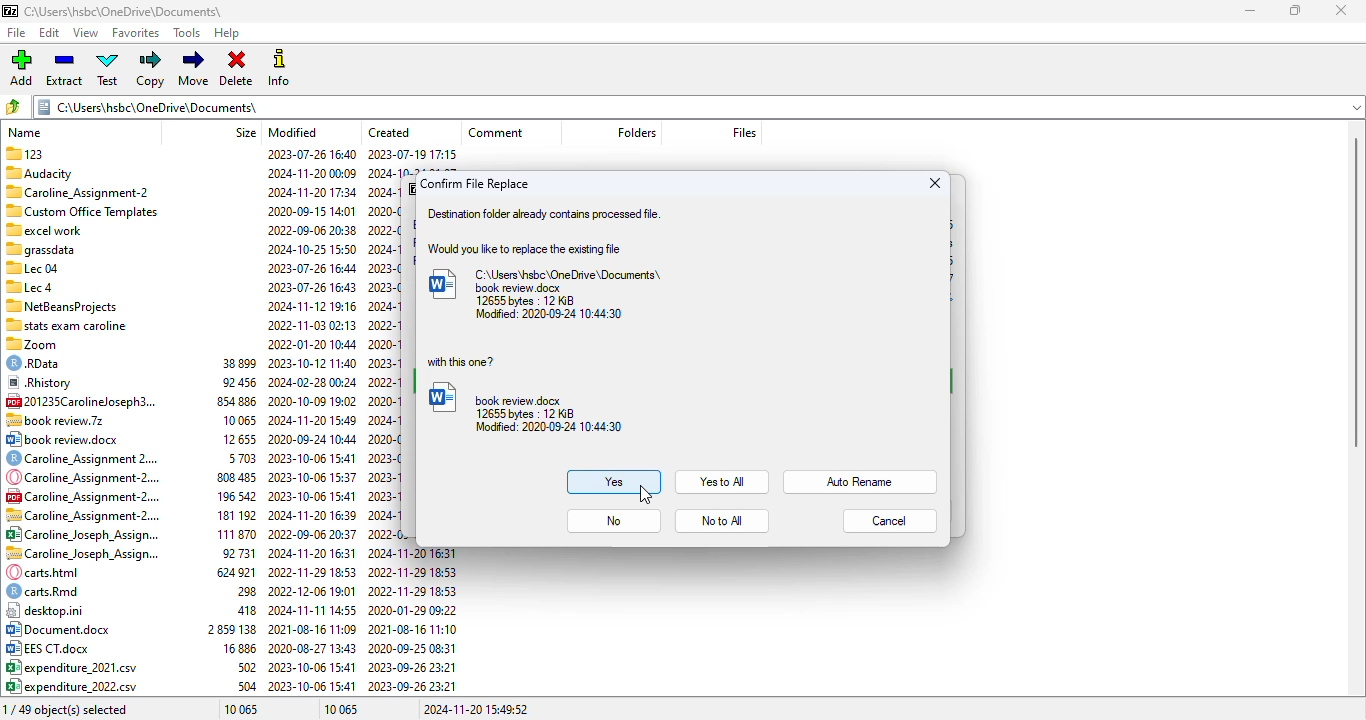  What do you see at coordinates (62, 307) in the screenshot?
I see `7 NetBeansProjects` at bounding box center [62, 307].